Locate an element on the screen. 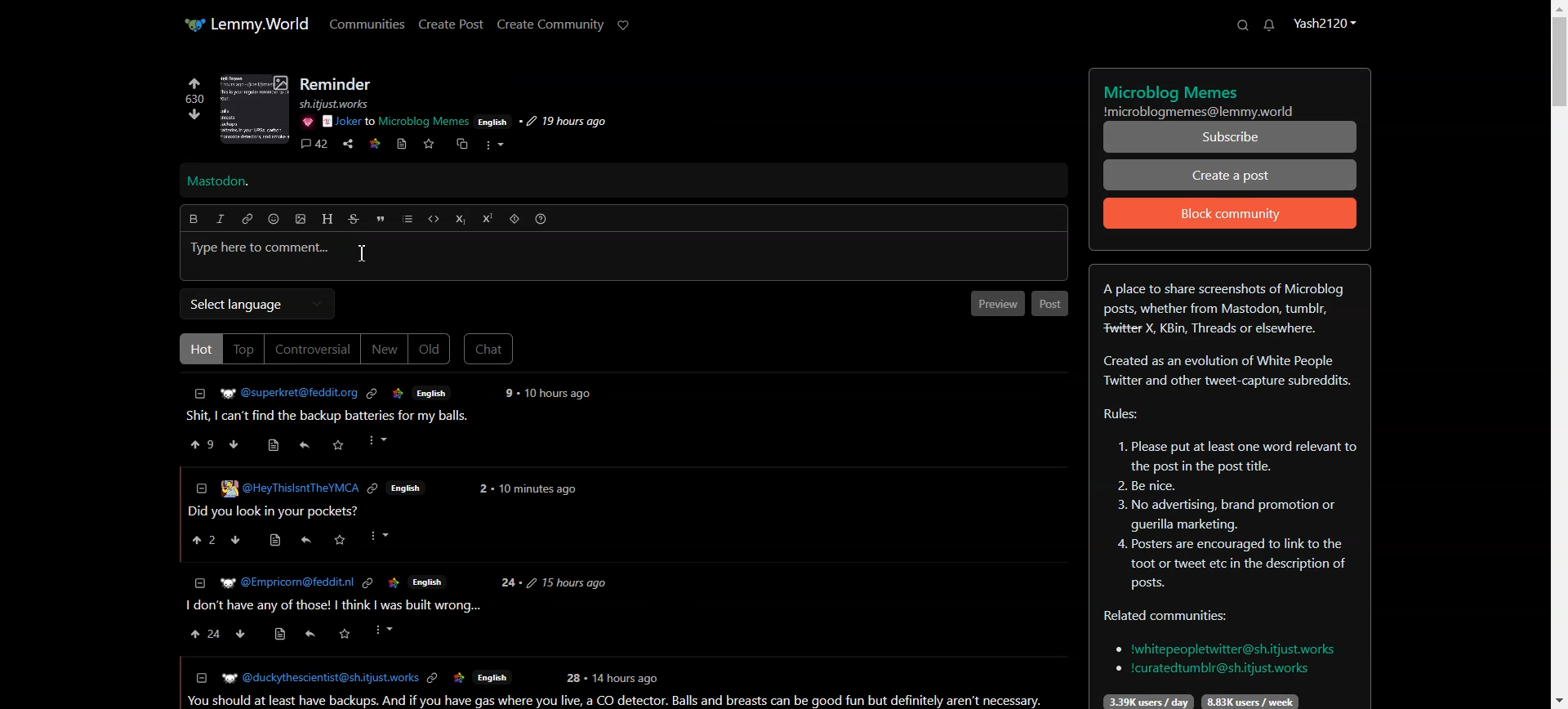 The height and width of the screenshot is (709, 1568). ® @duckythescientist@sh.
itjust works is located at coordinates (319, 678).